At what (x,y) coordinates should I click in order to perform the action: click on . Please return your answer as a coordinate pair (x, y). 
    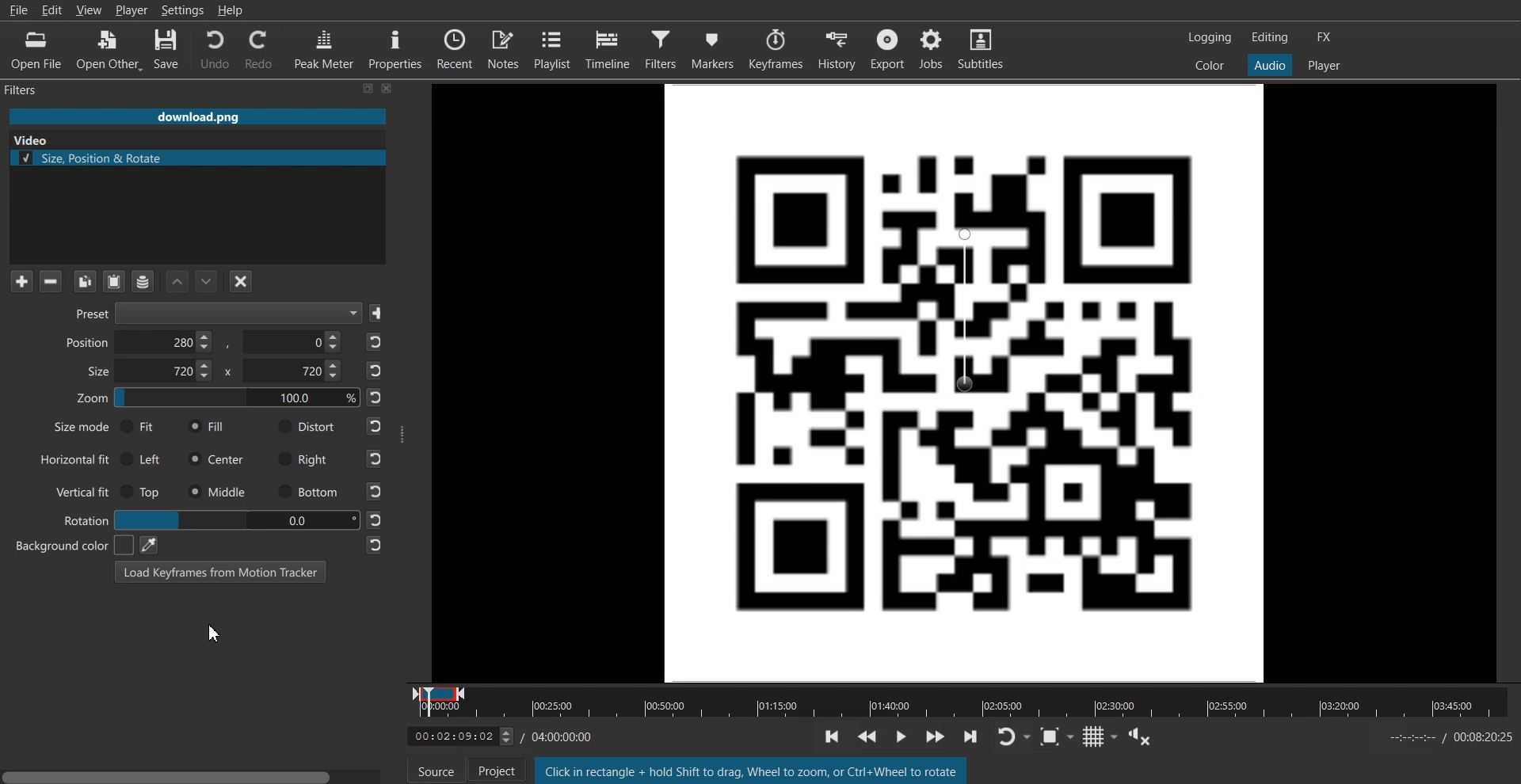
    Looking at the image, I should click on (932, 48).